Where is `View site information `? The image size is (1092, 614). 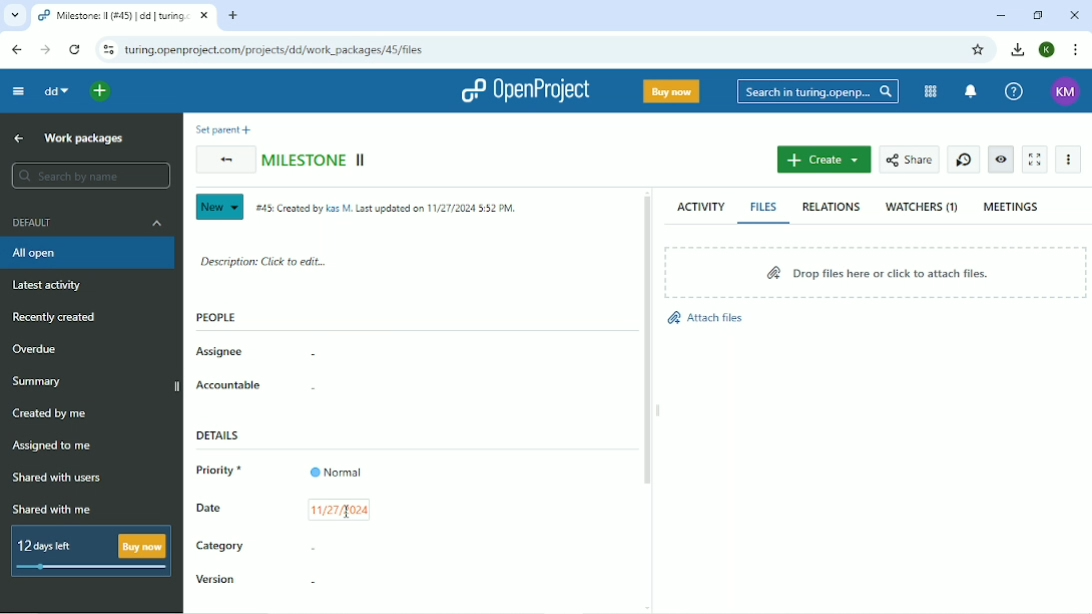 View site information  is located at coordinates (105, 49).